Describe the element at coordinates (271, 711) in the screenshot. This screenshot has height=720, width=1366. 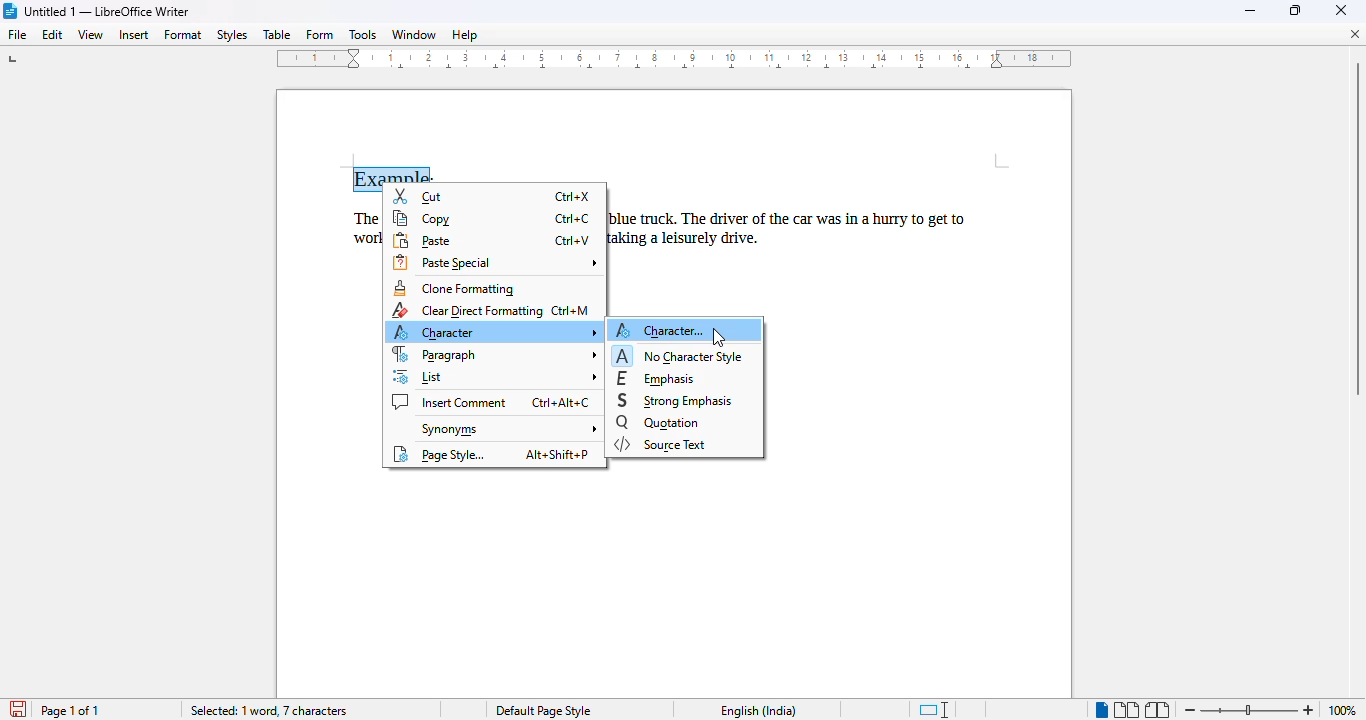
I see `selected: 1 word, 7 characters` at that location.